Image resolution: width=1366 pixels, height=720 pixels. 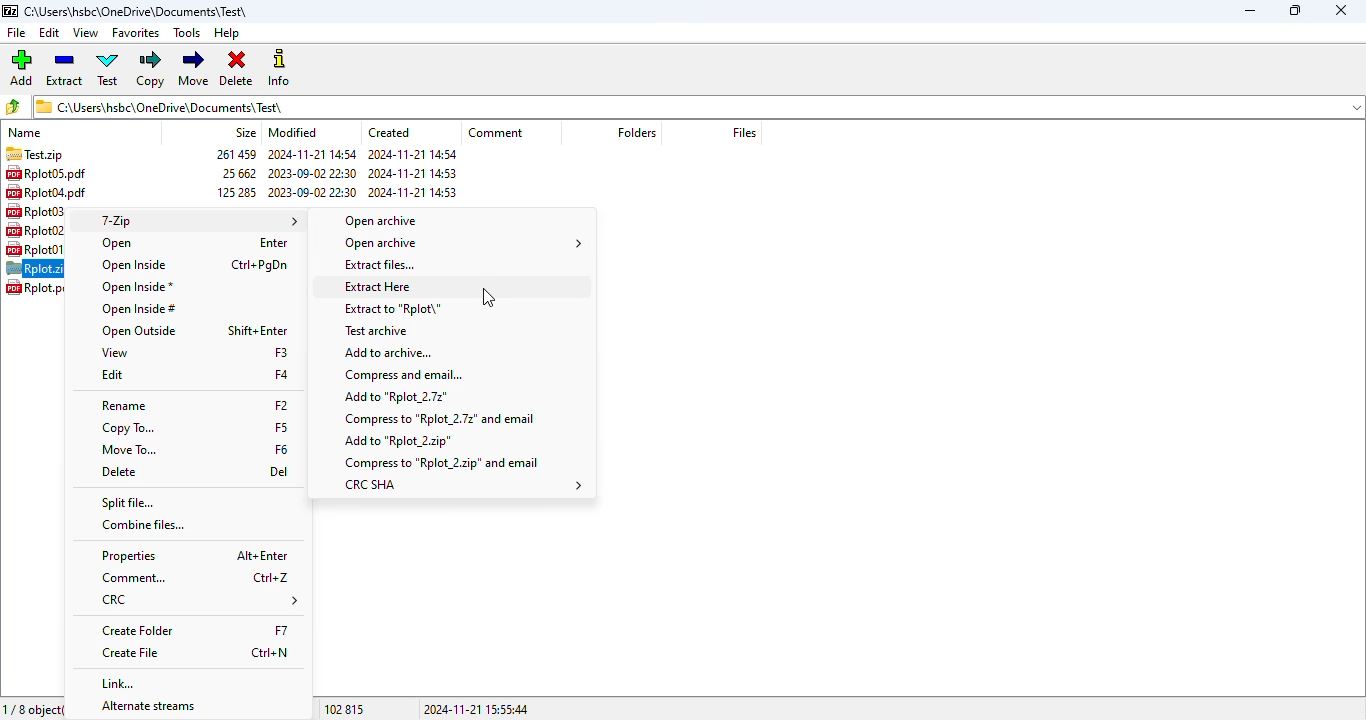 I want to click on 2024-11-21 15:55:44, so click(x=477, y=709).